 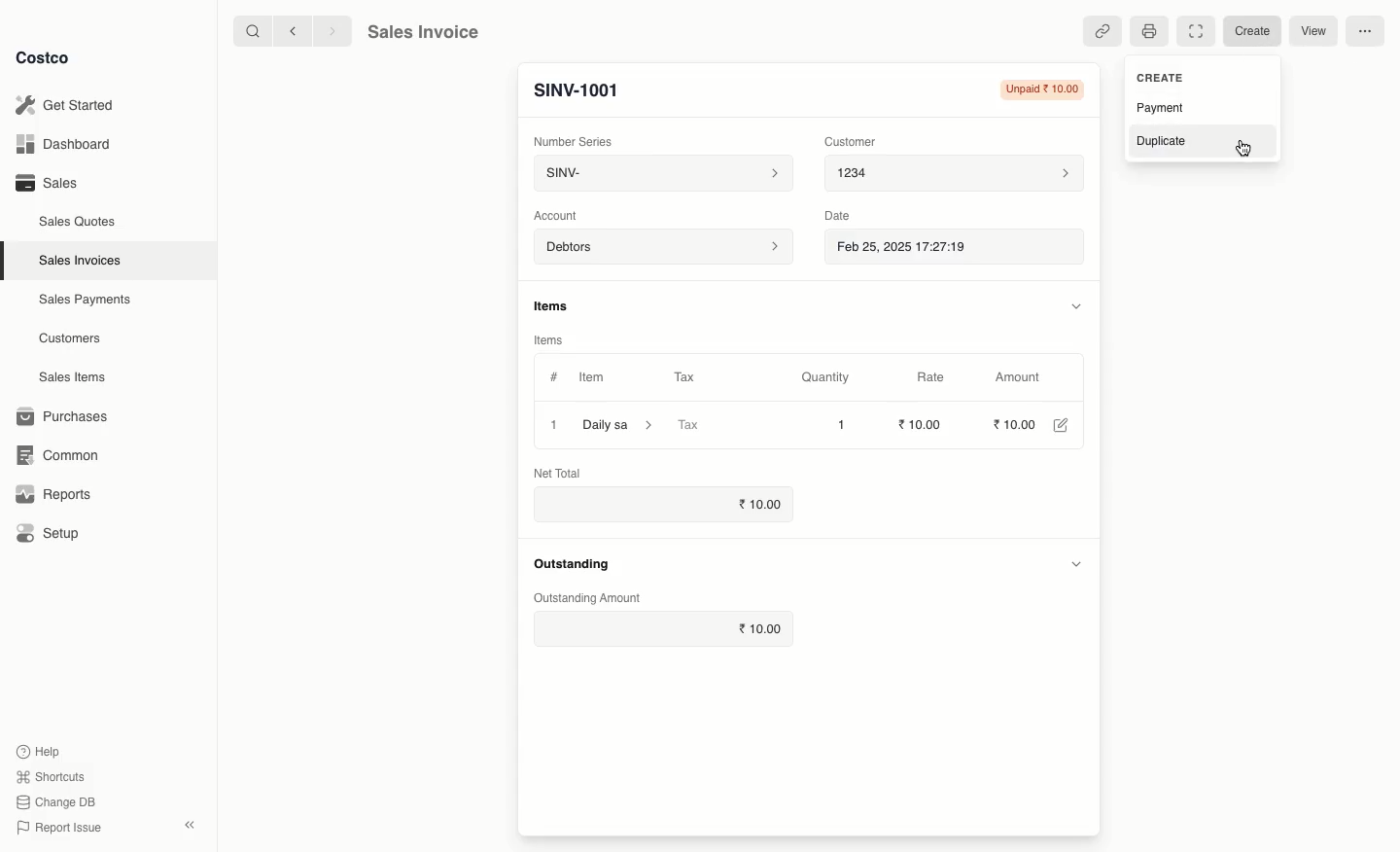 I want to click on Sales Quotes, so click(x=75, y=223).